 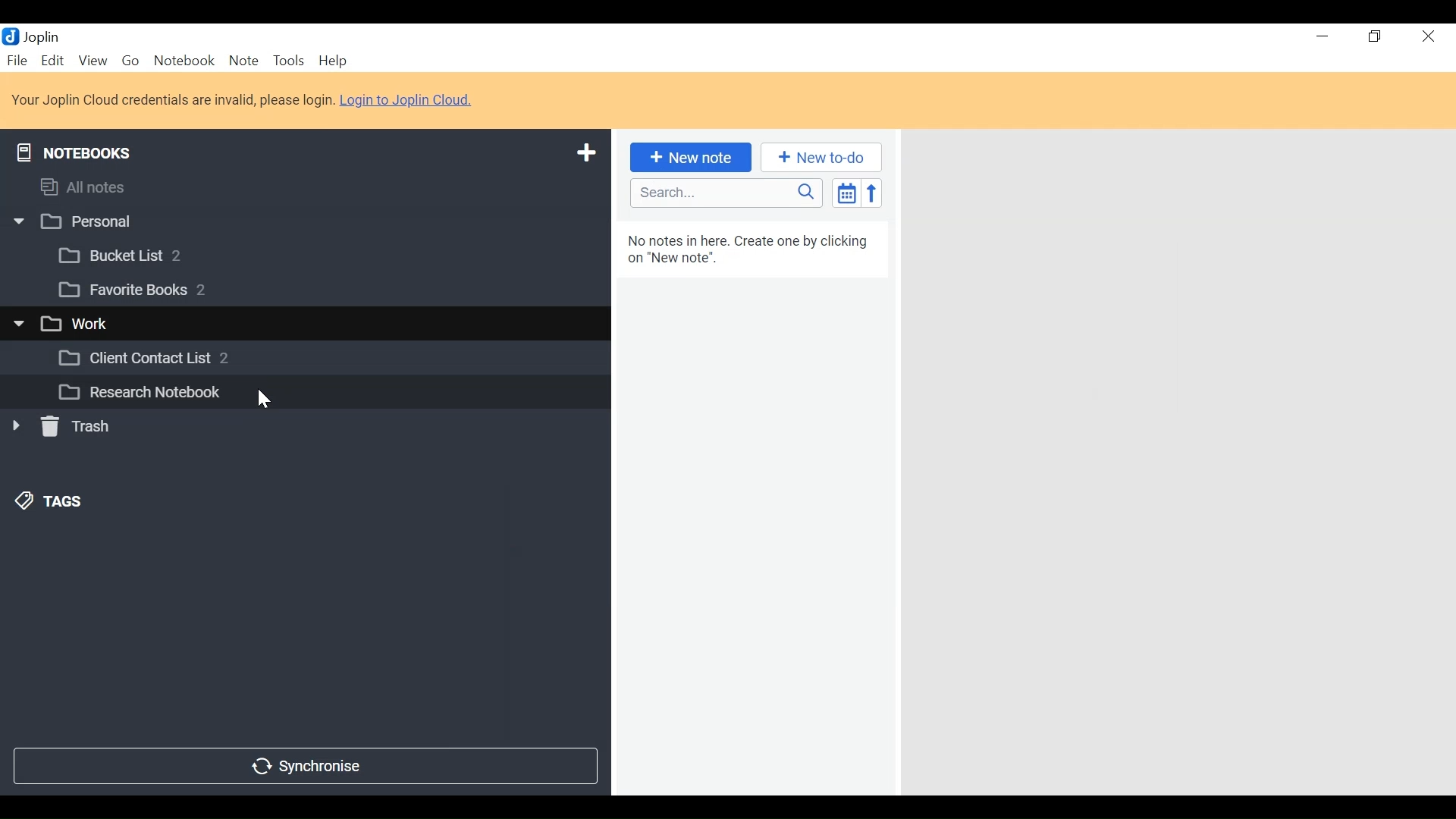 What do you see at coordinates (81, 223) in the screenshot?
I see `w |] Personal` at bounding box center [81, 223].